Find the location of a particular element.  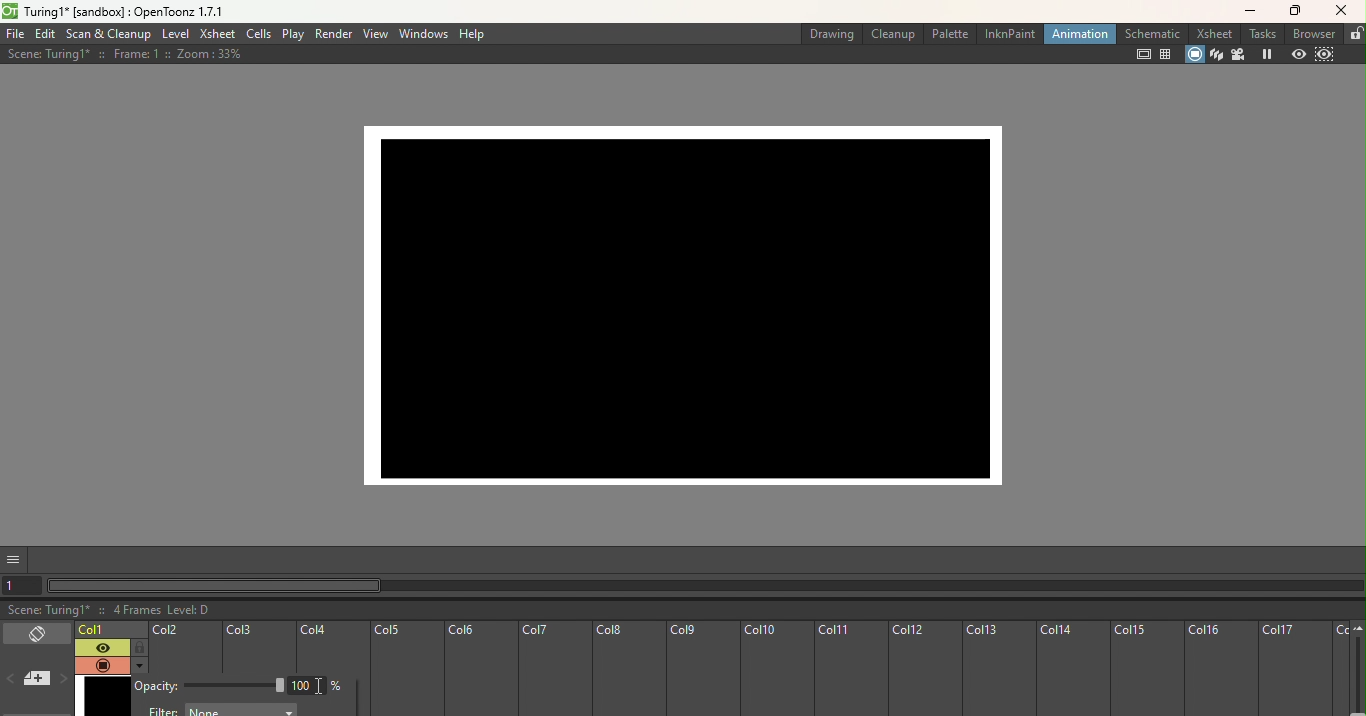

Col11 is located at coordinates (851, 670).